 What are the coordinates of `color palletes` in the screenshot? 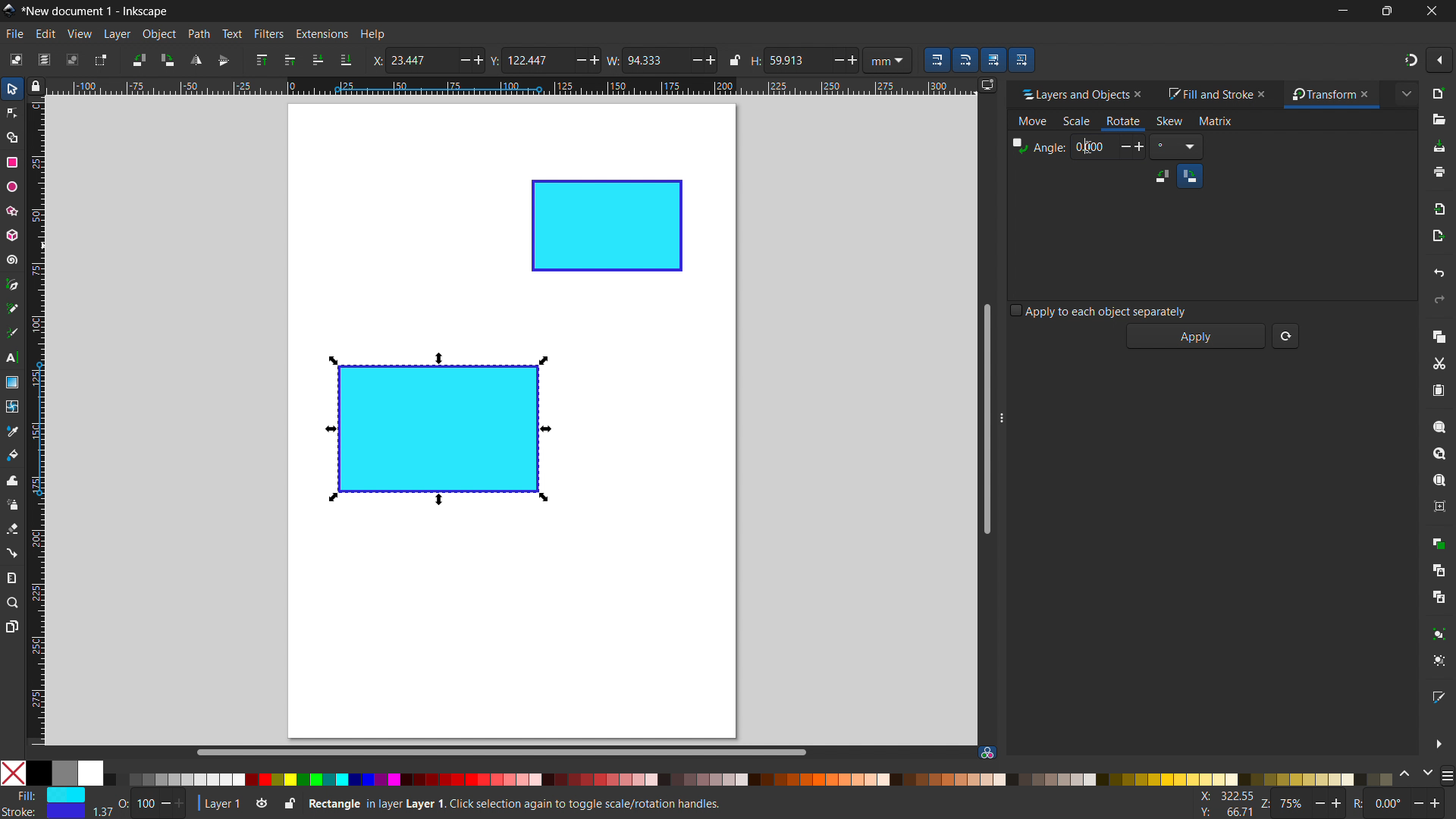 It's located at (748, 779).